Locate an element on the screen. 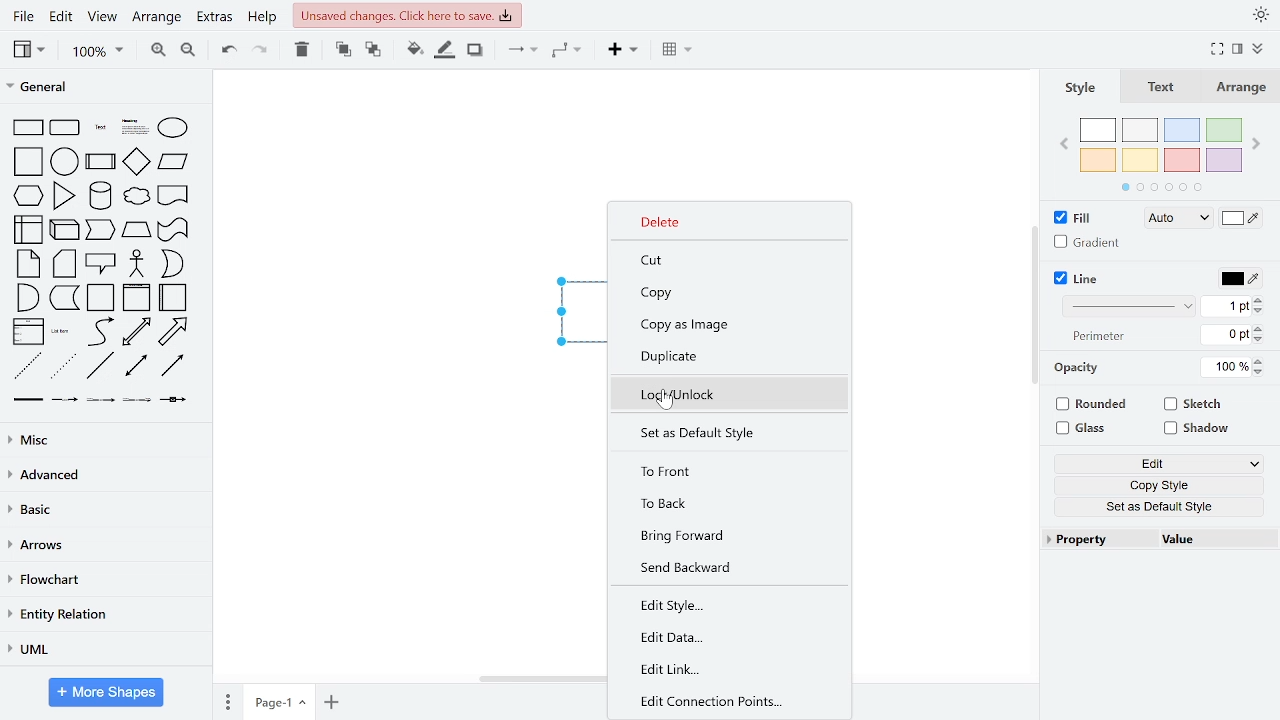 The height and width of the screenshot is (720, 1280). ash is located at coordinates (1139, 130).